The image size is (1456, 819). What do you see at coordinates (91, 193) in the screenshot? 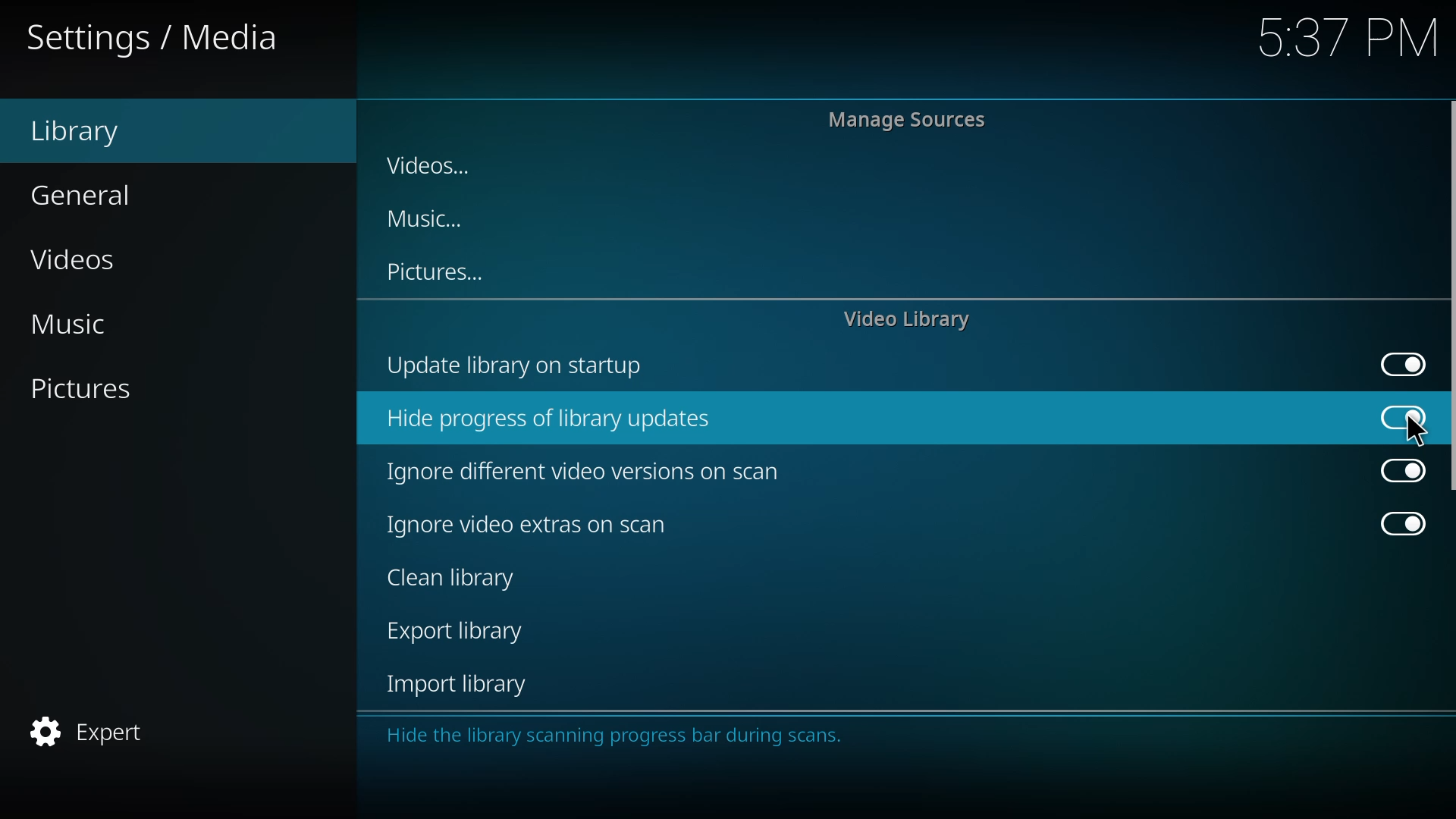
I see `general` at bounding box center [91, 193].